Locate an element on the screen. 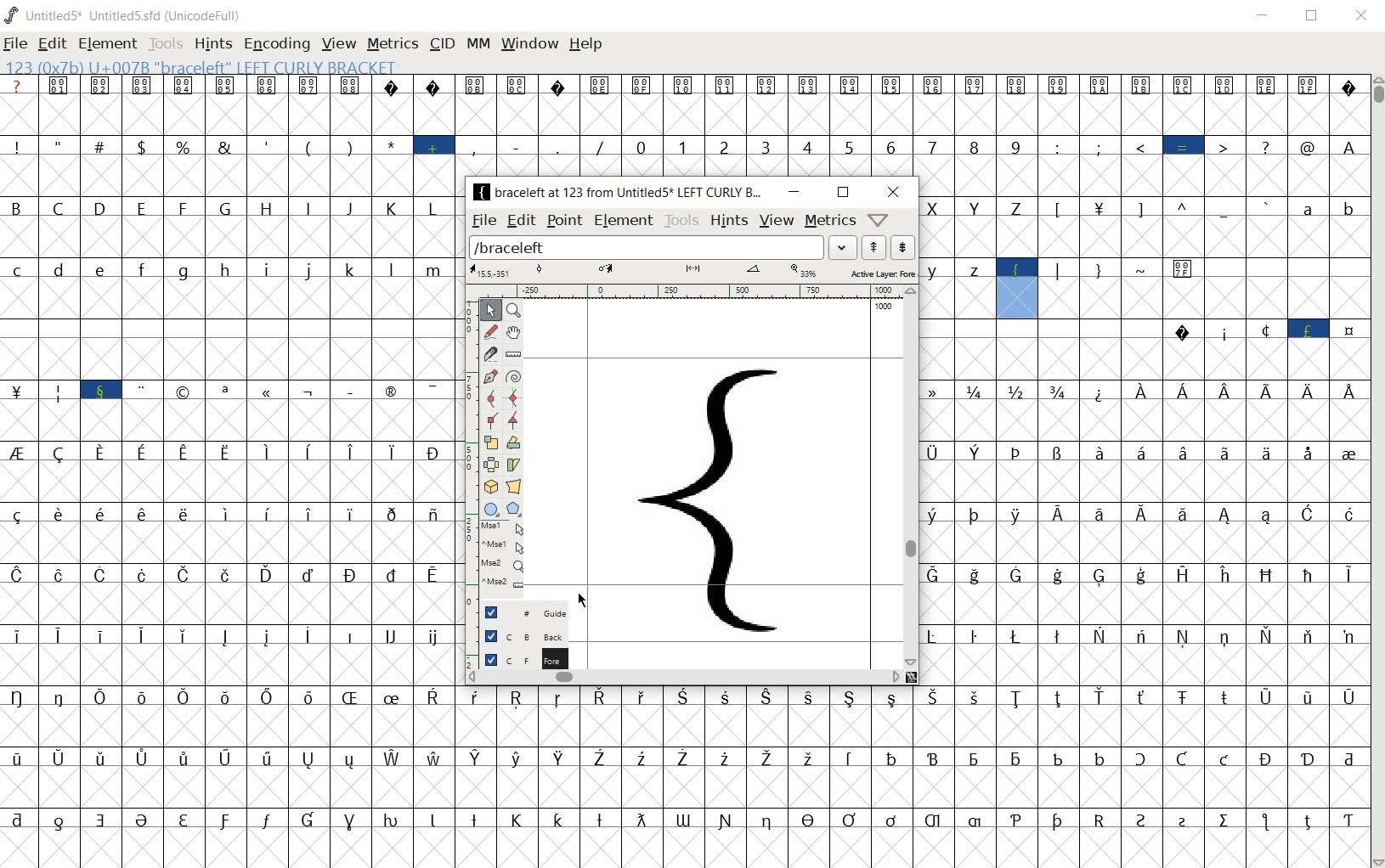 The width and height of the screenshot is (1385, 868). Help/Window is located at coordinates (879, 222).